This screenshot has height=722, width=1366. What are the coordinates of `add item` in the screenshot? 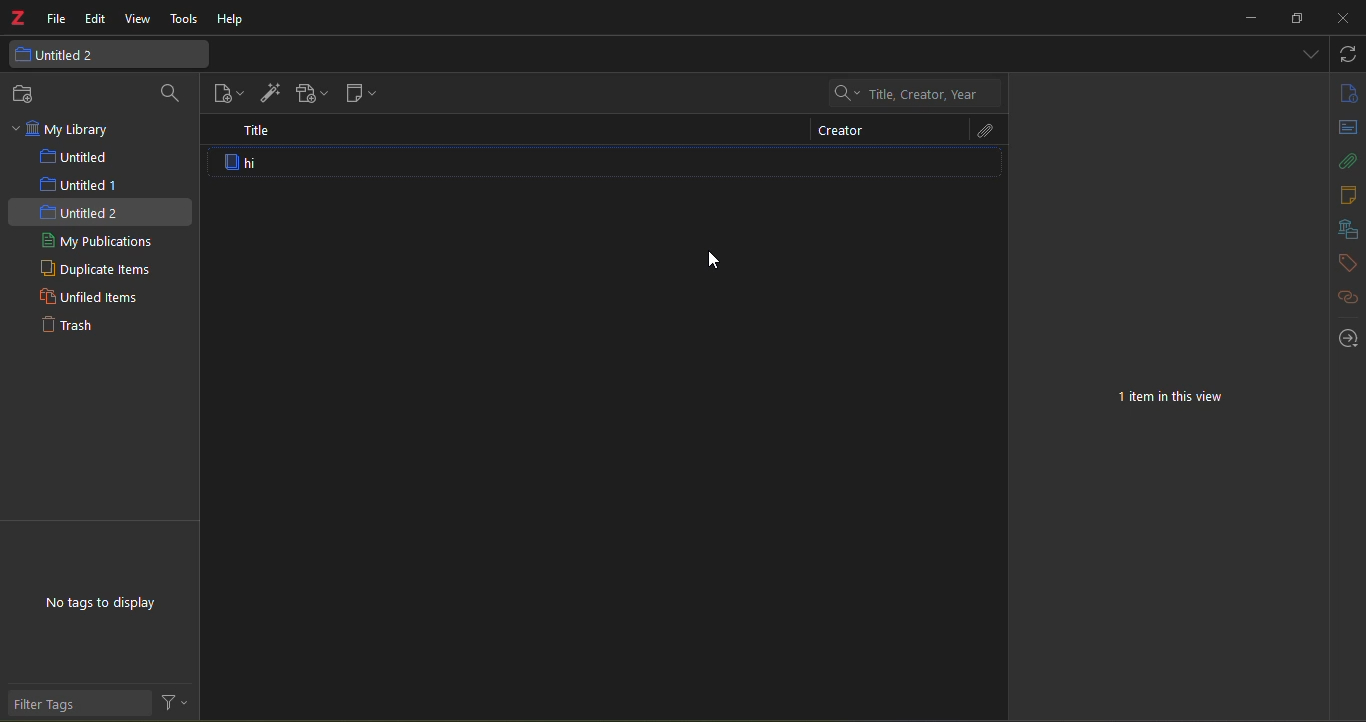 It's located at (268, 93).